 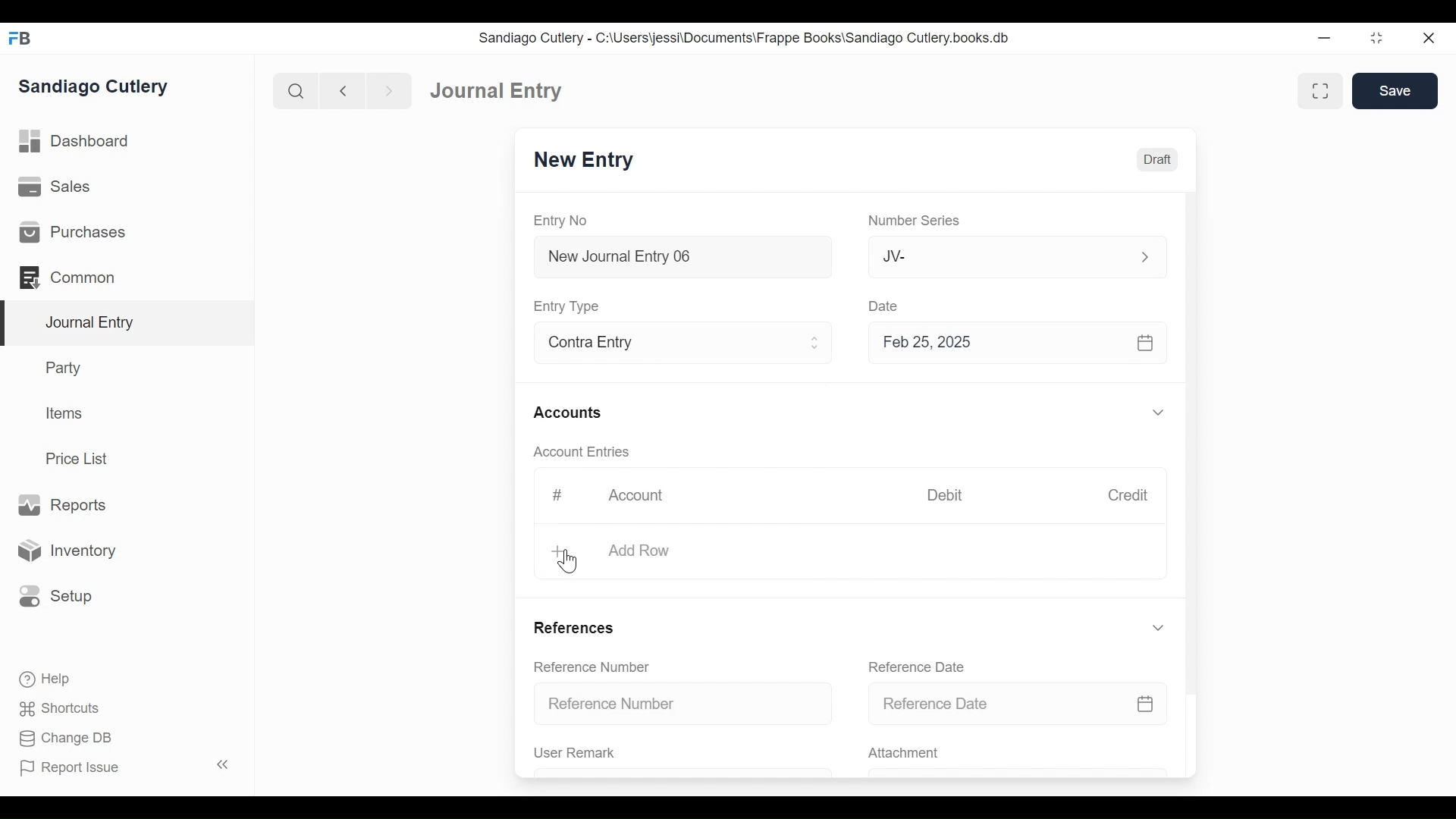 I want to click on Close, so click(x=1431, y=37).